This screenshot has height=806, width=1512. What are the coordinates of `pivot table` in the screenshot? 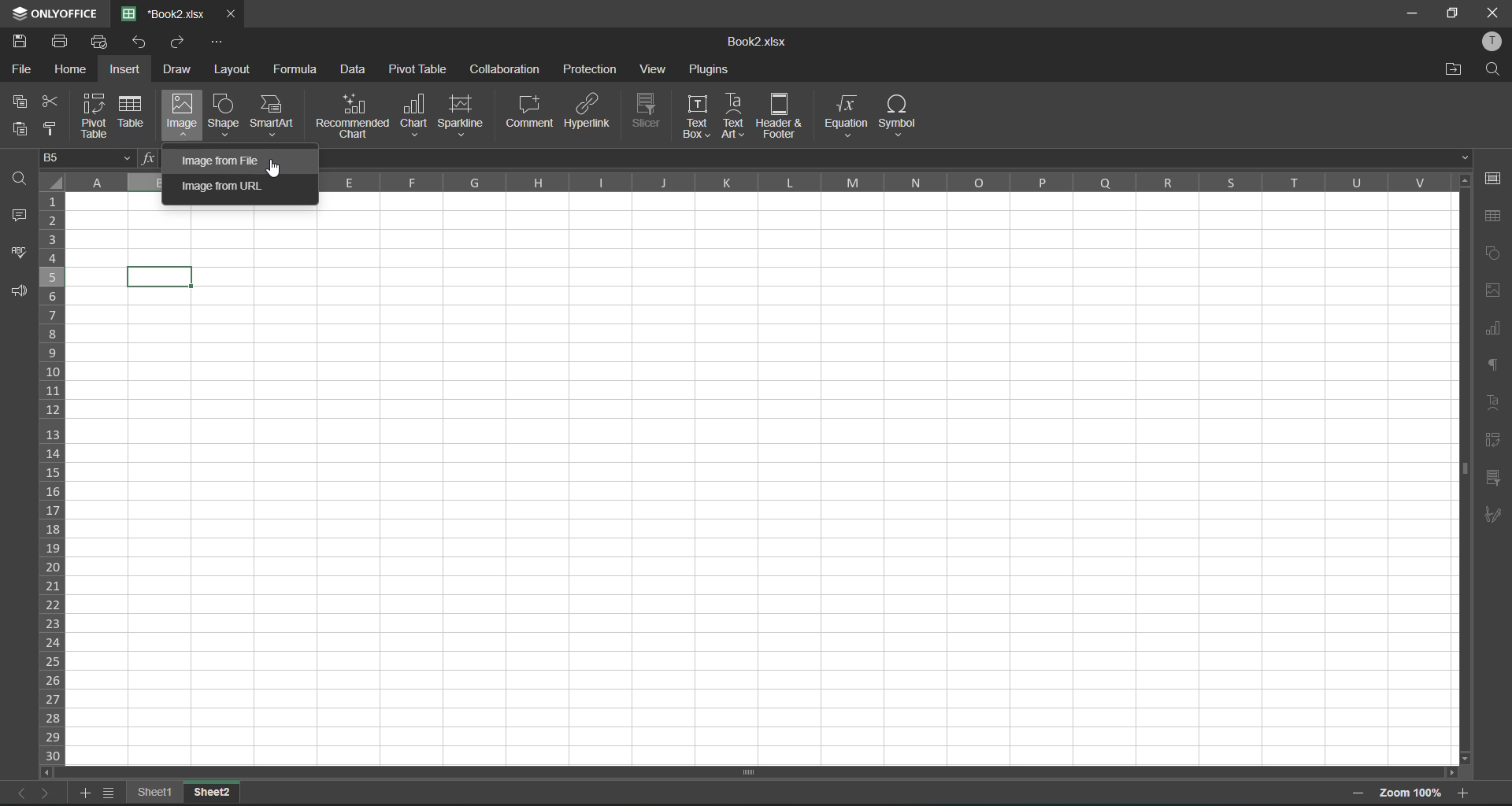 It's located at (96, 117).